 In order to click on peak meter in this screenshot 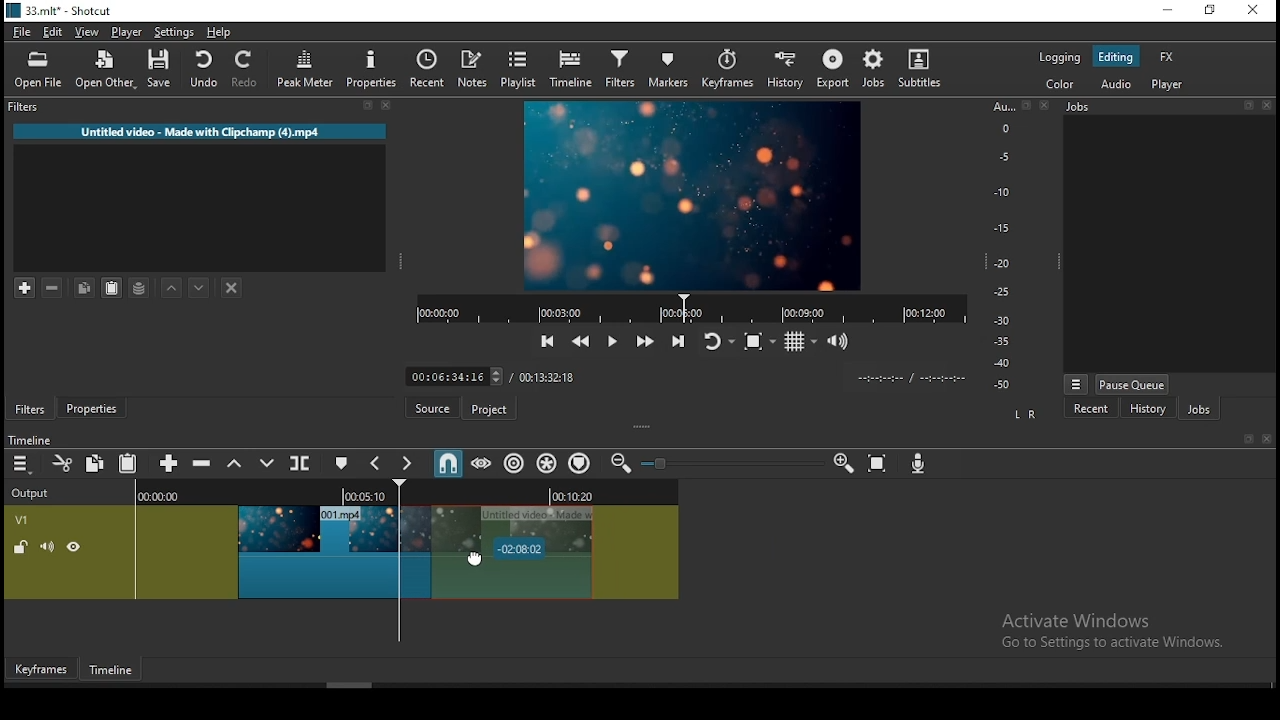, I will do `click(307, 68)`.